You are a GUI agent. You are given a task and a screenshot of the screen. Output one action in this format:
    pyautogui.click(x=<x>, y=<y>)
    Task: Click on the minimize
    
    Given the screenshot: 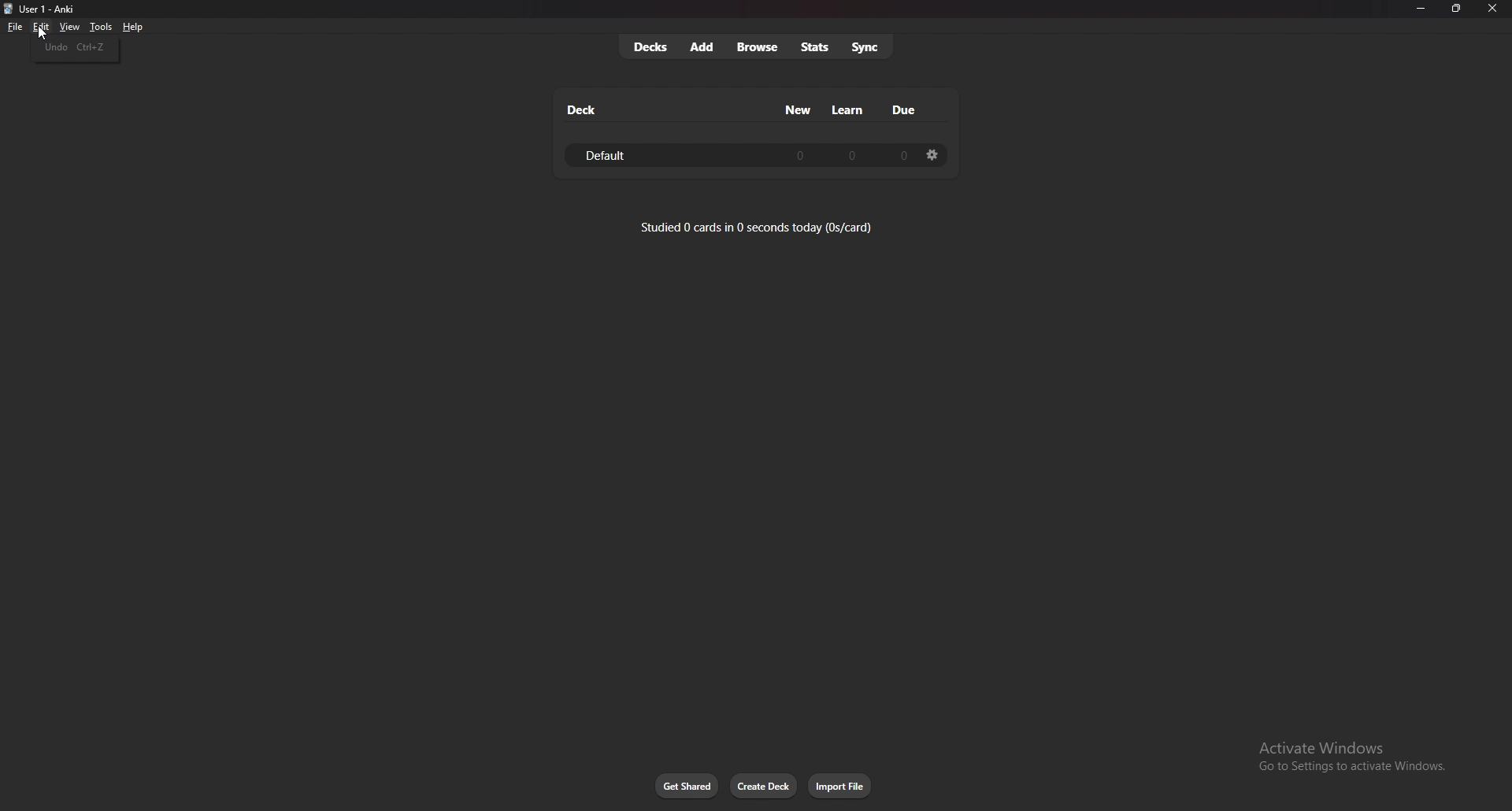 What is the action you would take?
    pyautogui.click(x=1420, y=9)
    